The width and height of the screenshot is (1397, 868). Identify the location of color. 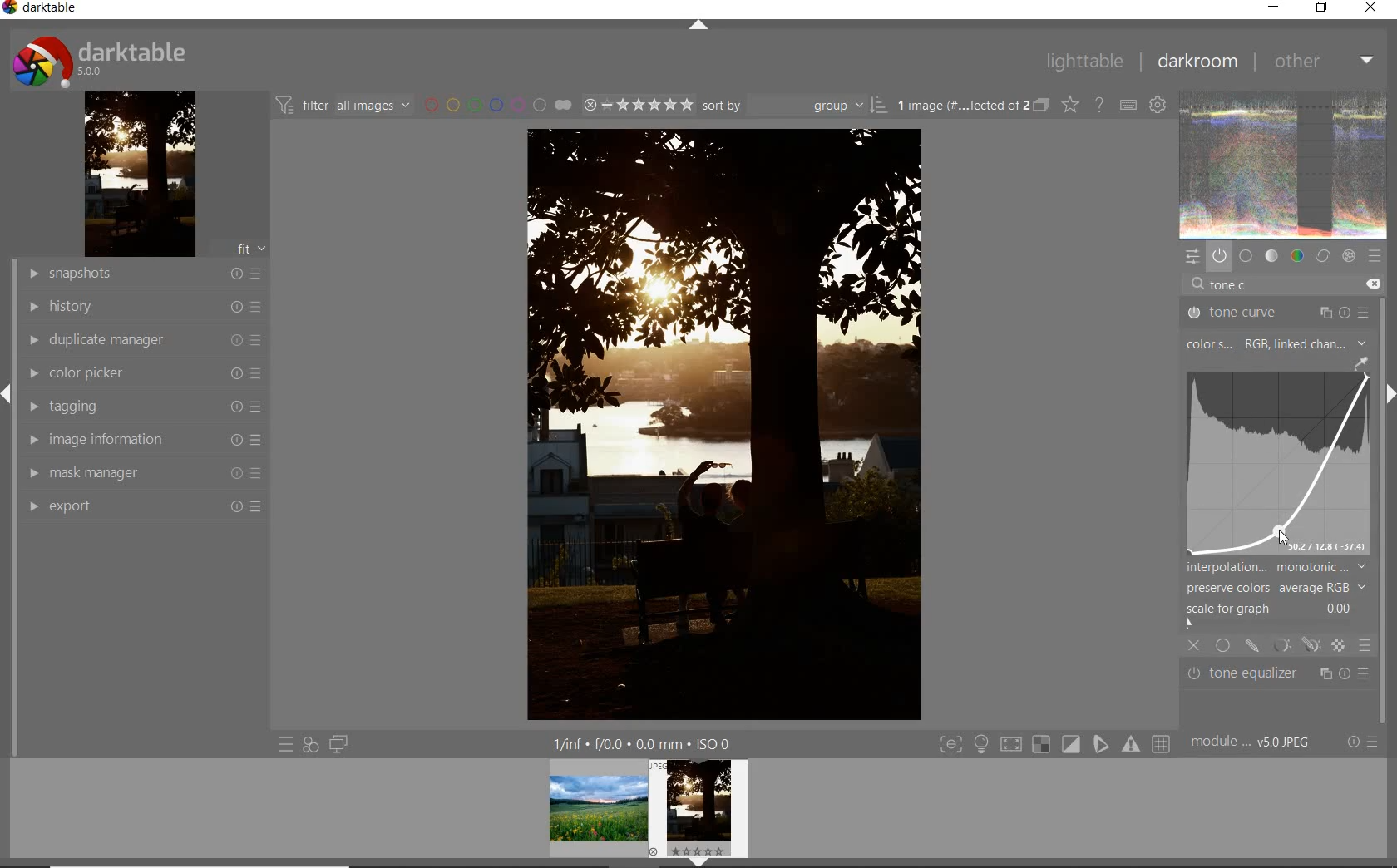
(1298, 254).